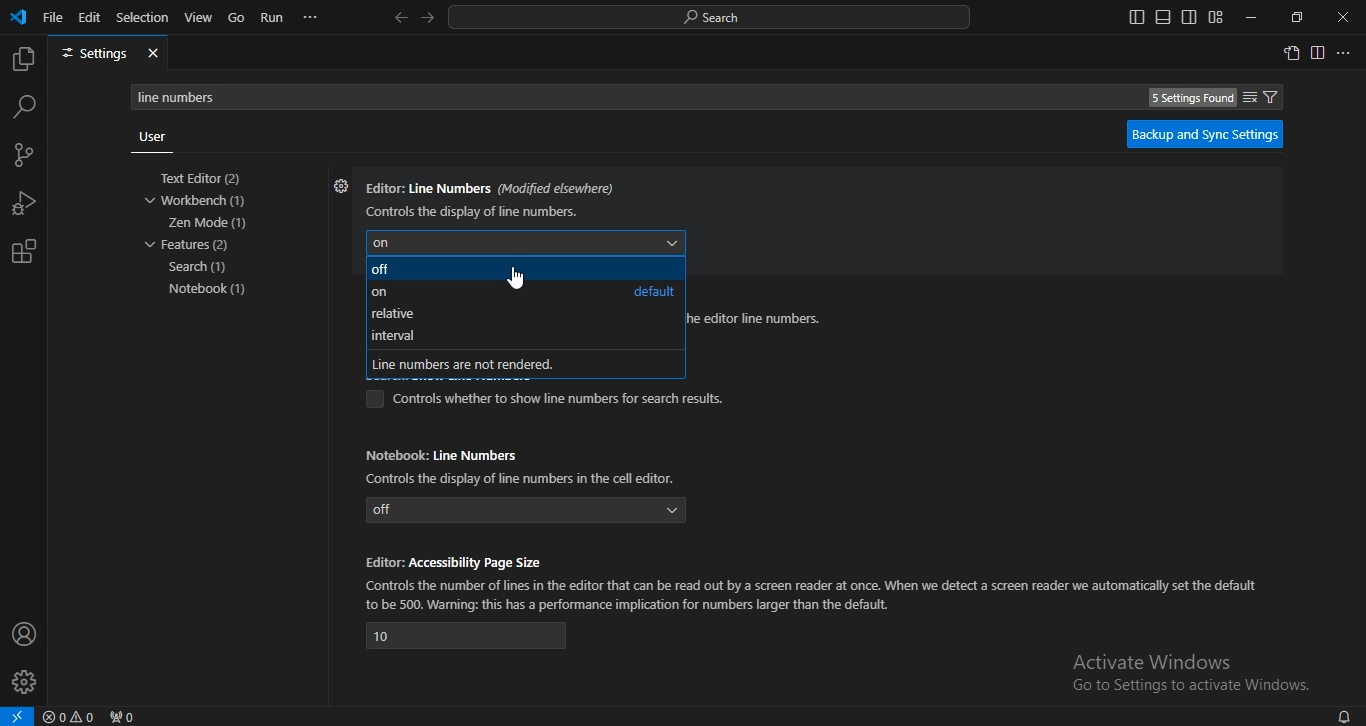 The width and height of the screenshot is (1366, 726). I want to click on default, so click(653, 291).